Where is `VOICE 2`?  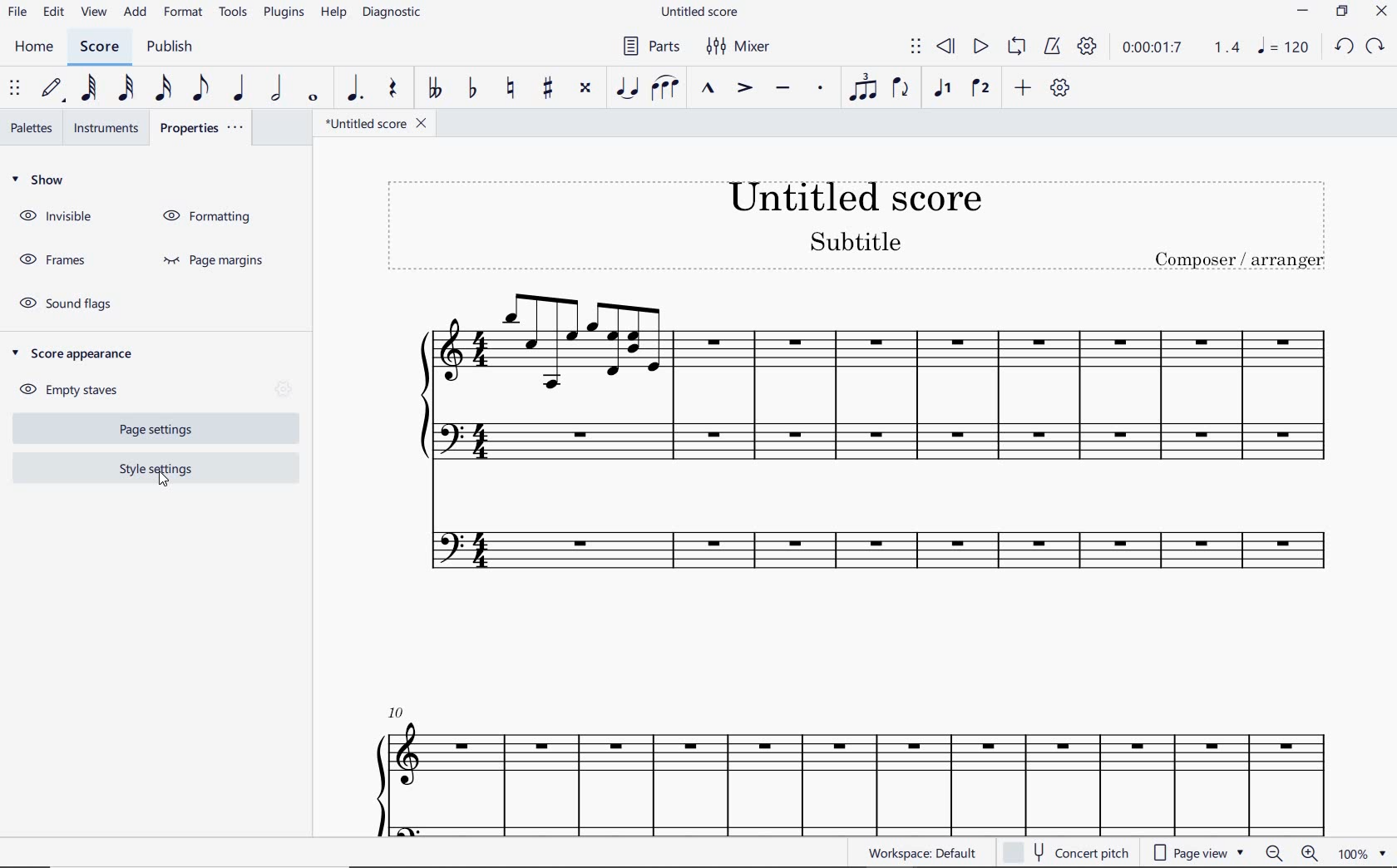
VOICE 2 is located at coordinates (980, 89).